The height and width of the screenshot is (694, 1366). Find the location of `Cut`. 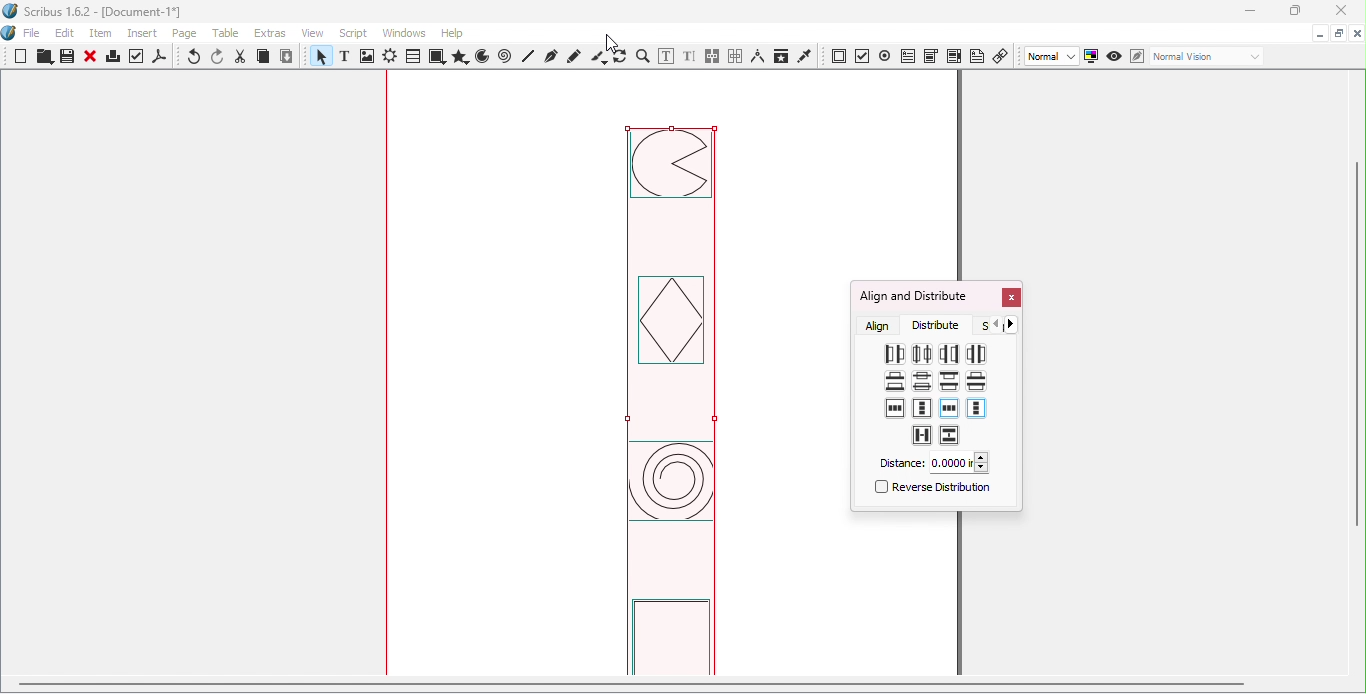

Cut is located at coordinates (241, 57).